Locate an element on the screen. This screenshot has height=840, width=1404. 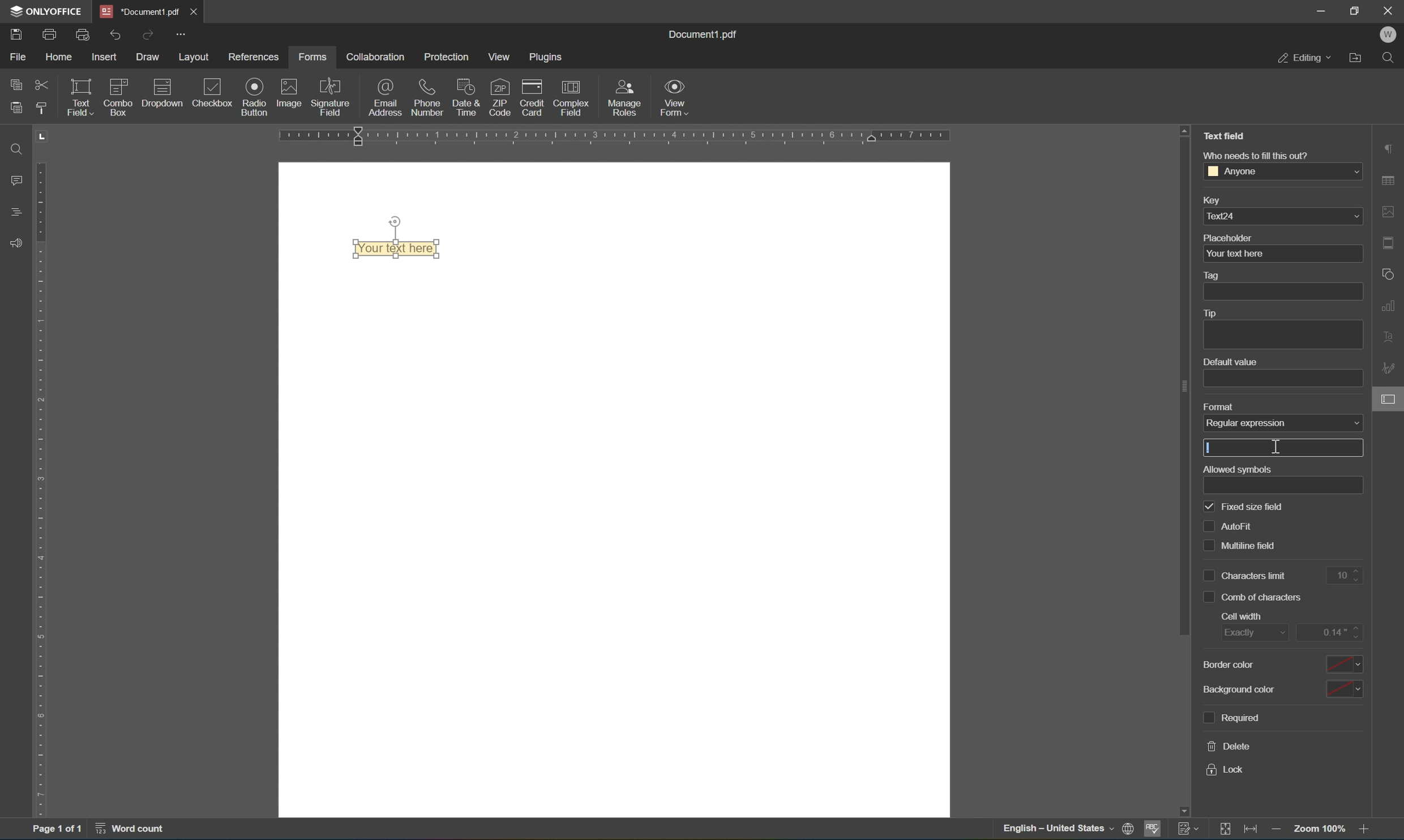
comb of characters is located at coordinates (1253, 598).